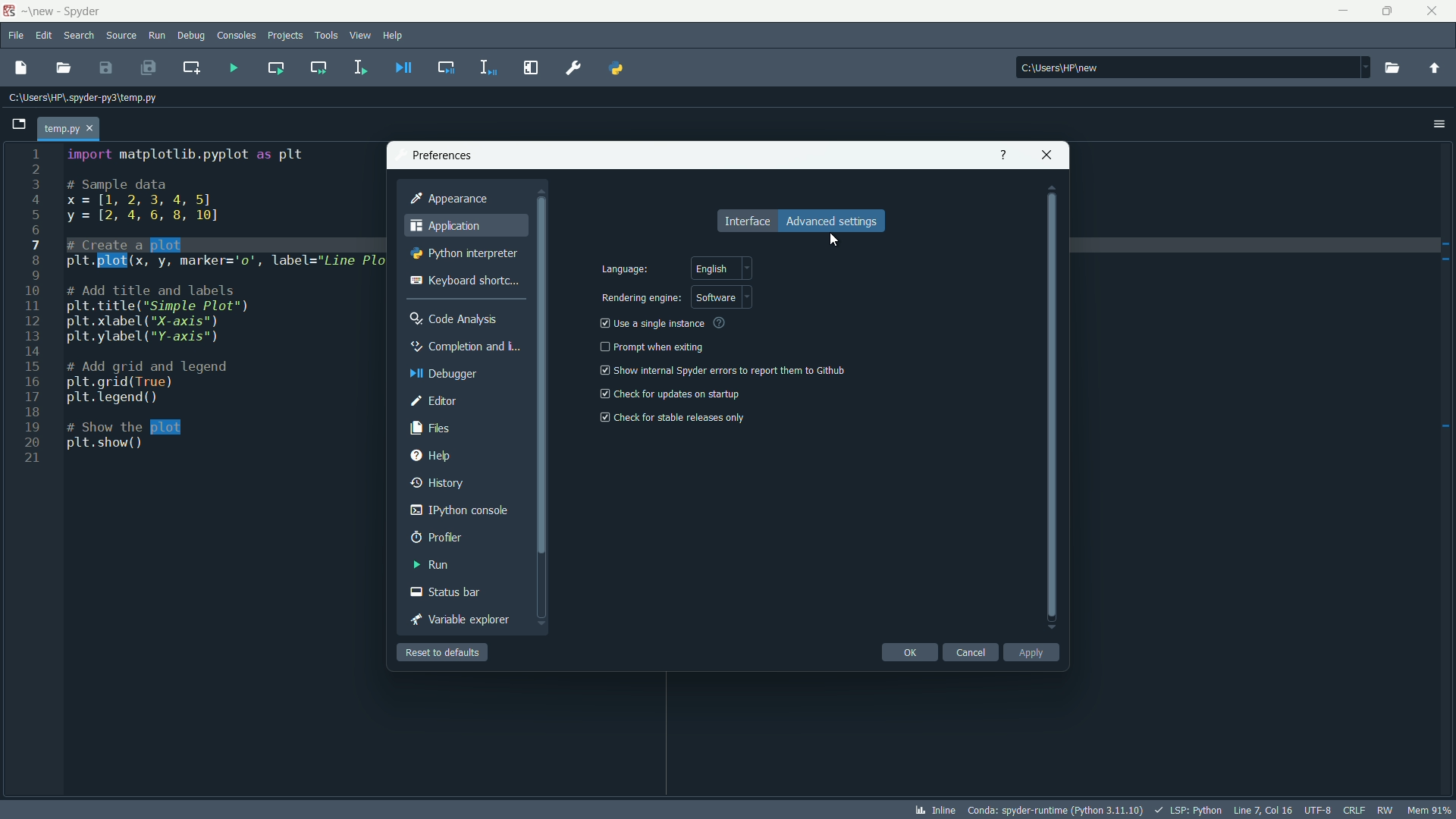 This screenshot has width=1456, height=819. Describe the element at coordinates (233, 70) in the screenshot. I see `run file` at that location.